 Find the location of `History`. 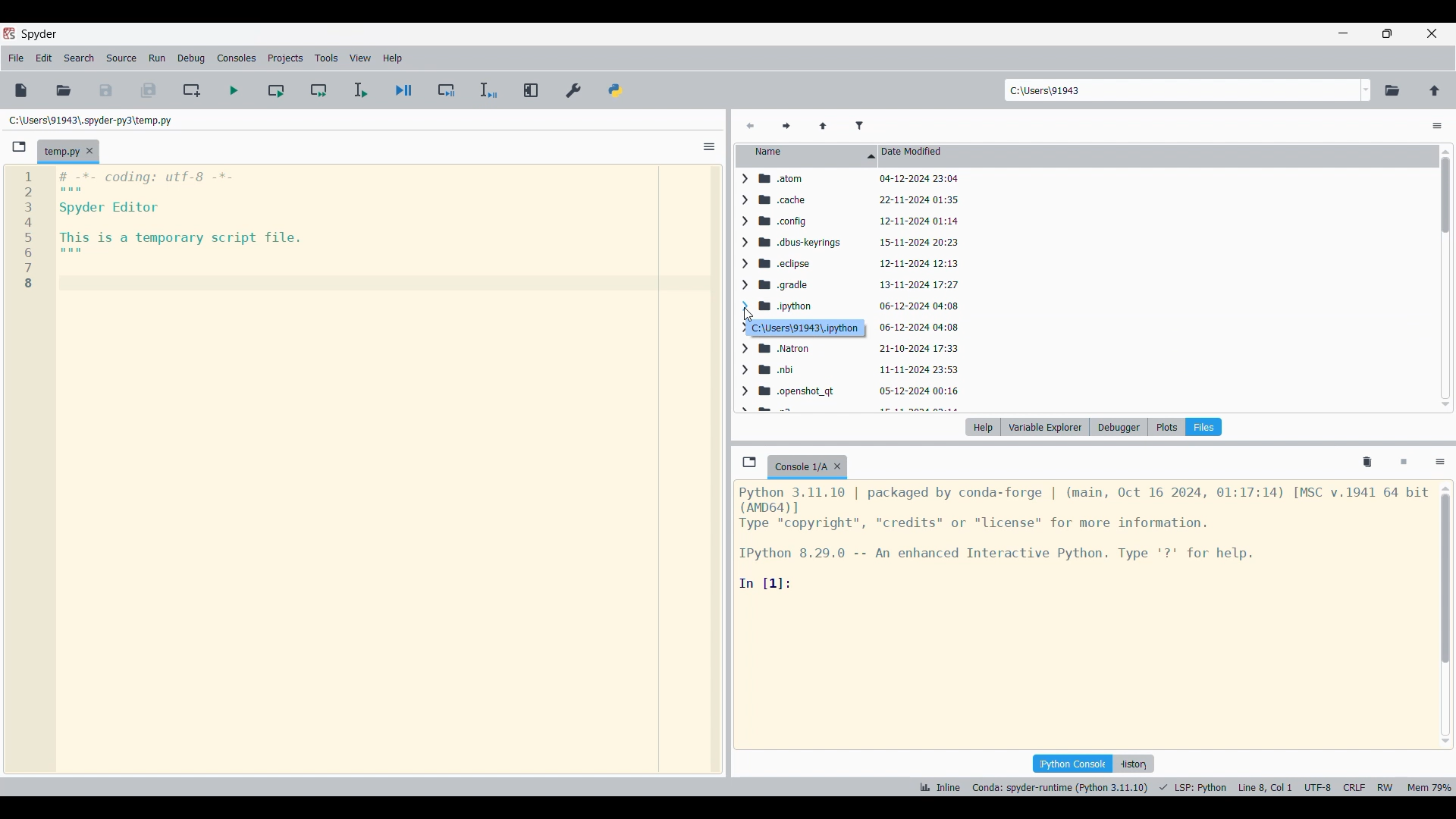

History is located at coordinates (1133, 764).